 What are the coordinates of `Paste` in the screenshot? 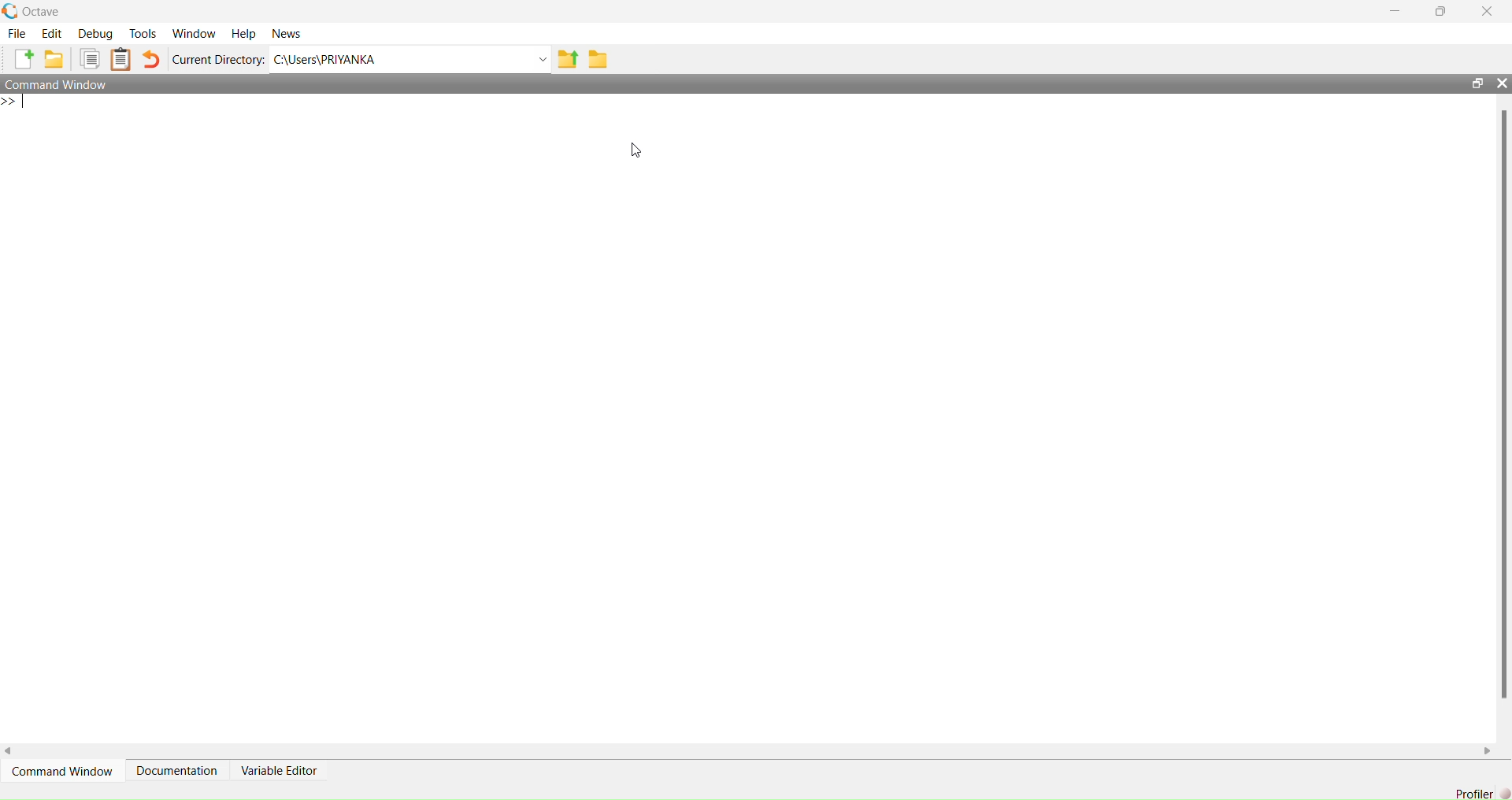 It's located at (121, 59).